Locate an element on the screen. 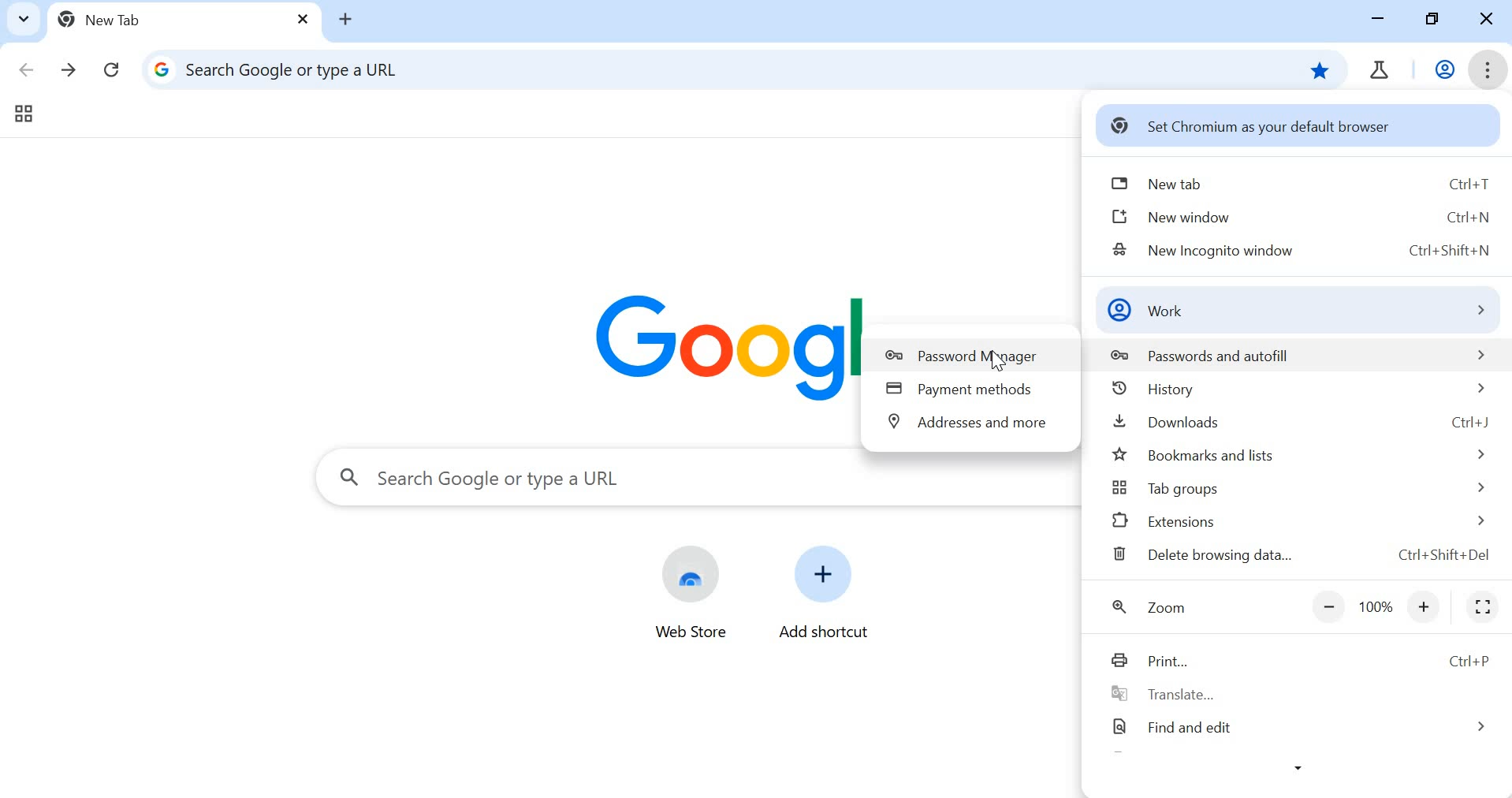 The image size is (1512, 798). new incognito window is located at coordinates (1303, 250).